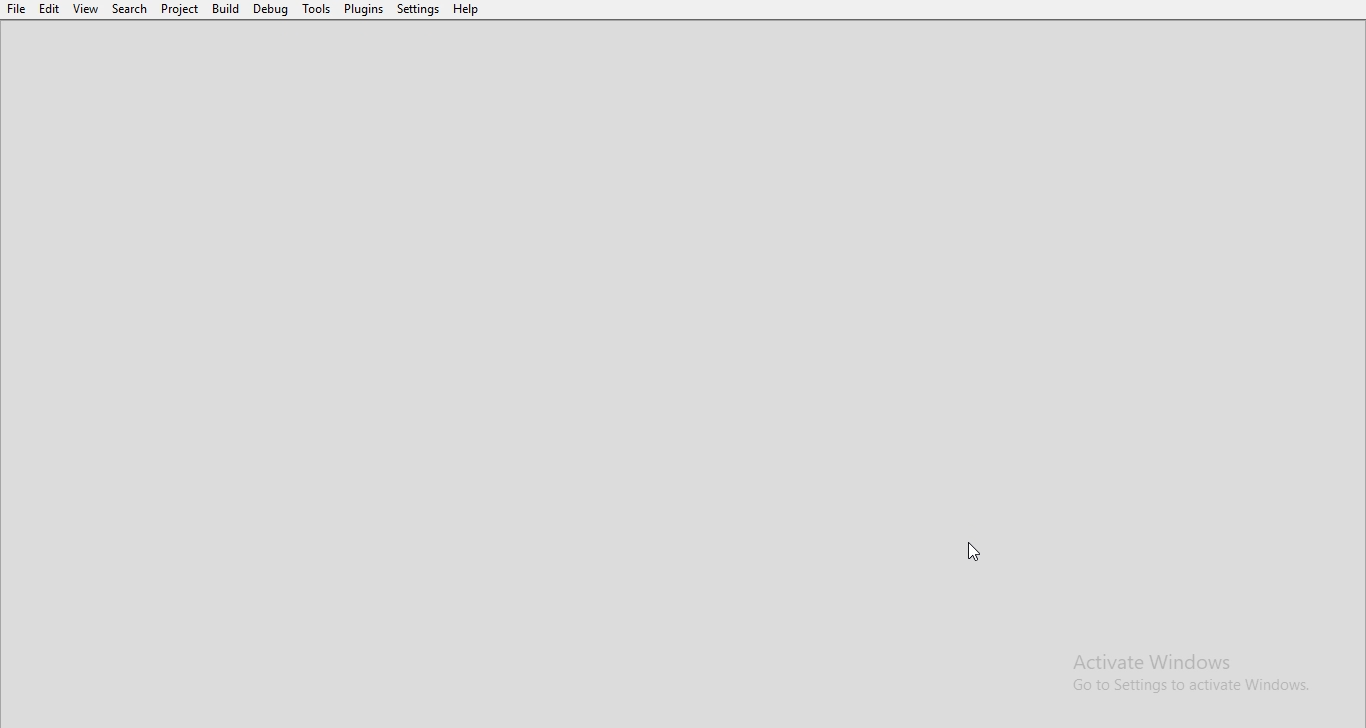 This screenshot has height=728, width=1366. Describe the element at coordinates (15, 9) in the screenshot. I see `File` at that location.